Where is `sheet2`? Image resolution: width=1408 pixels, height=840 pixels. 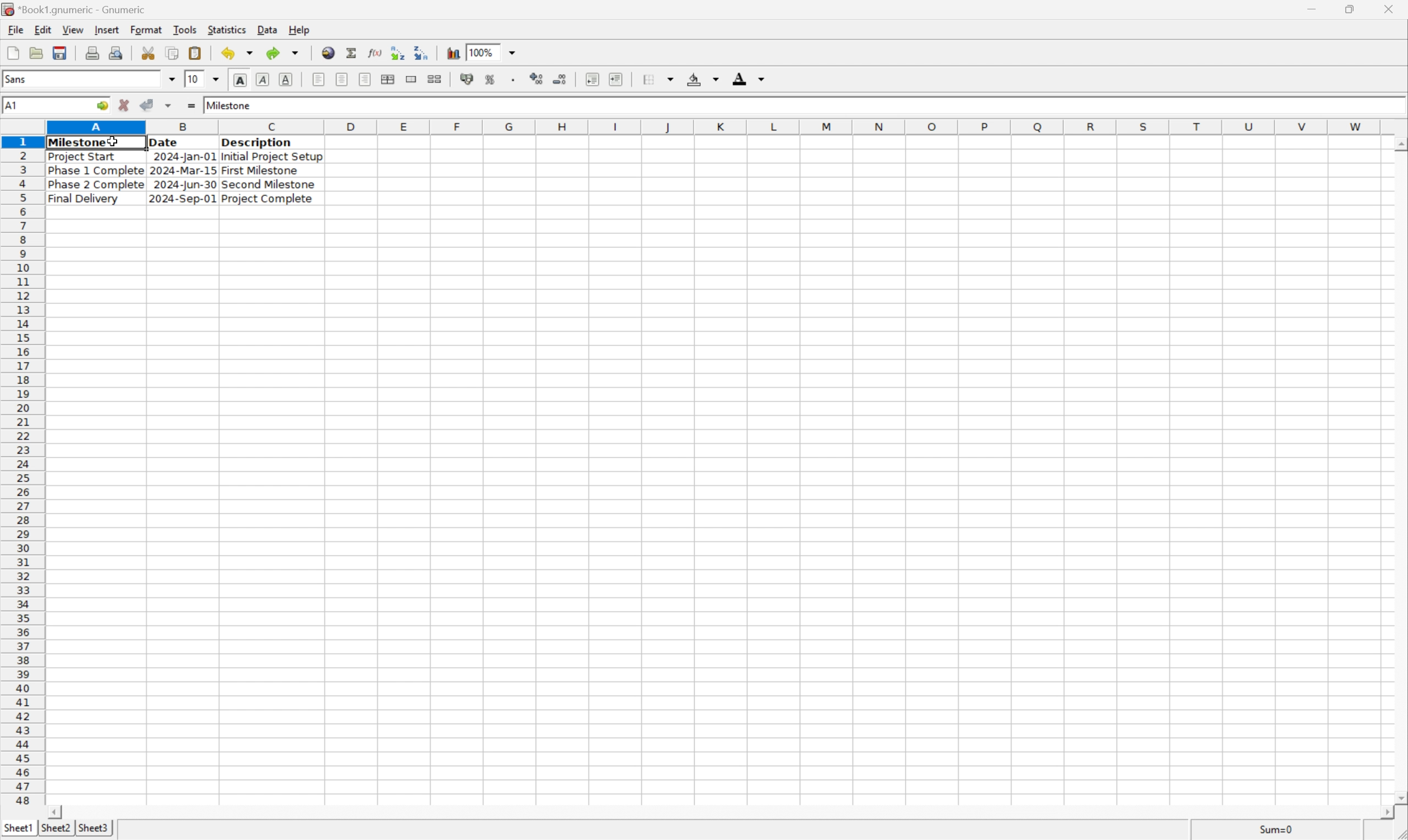 sheet2 is located at coordinates (53, 830).